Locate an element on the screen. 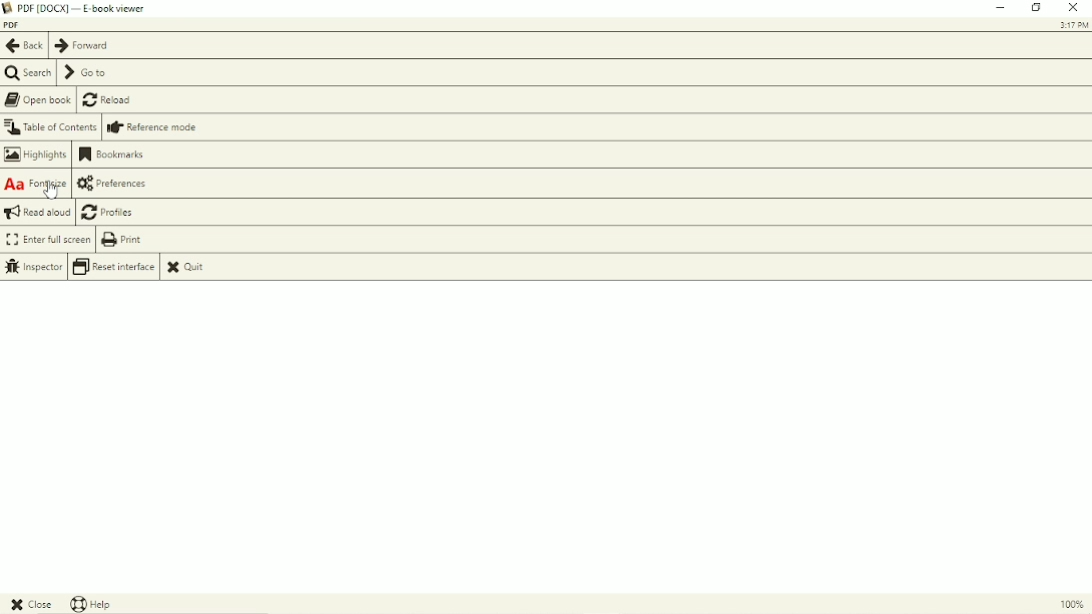  Profiles is located at coordinates (116, 212).